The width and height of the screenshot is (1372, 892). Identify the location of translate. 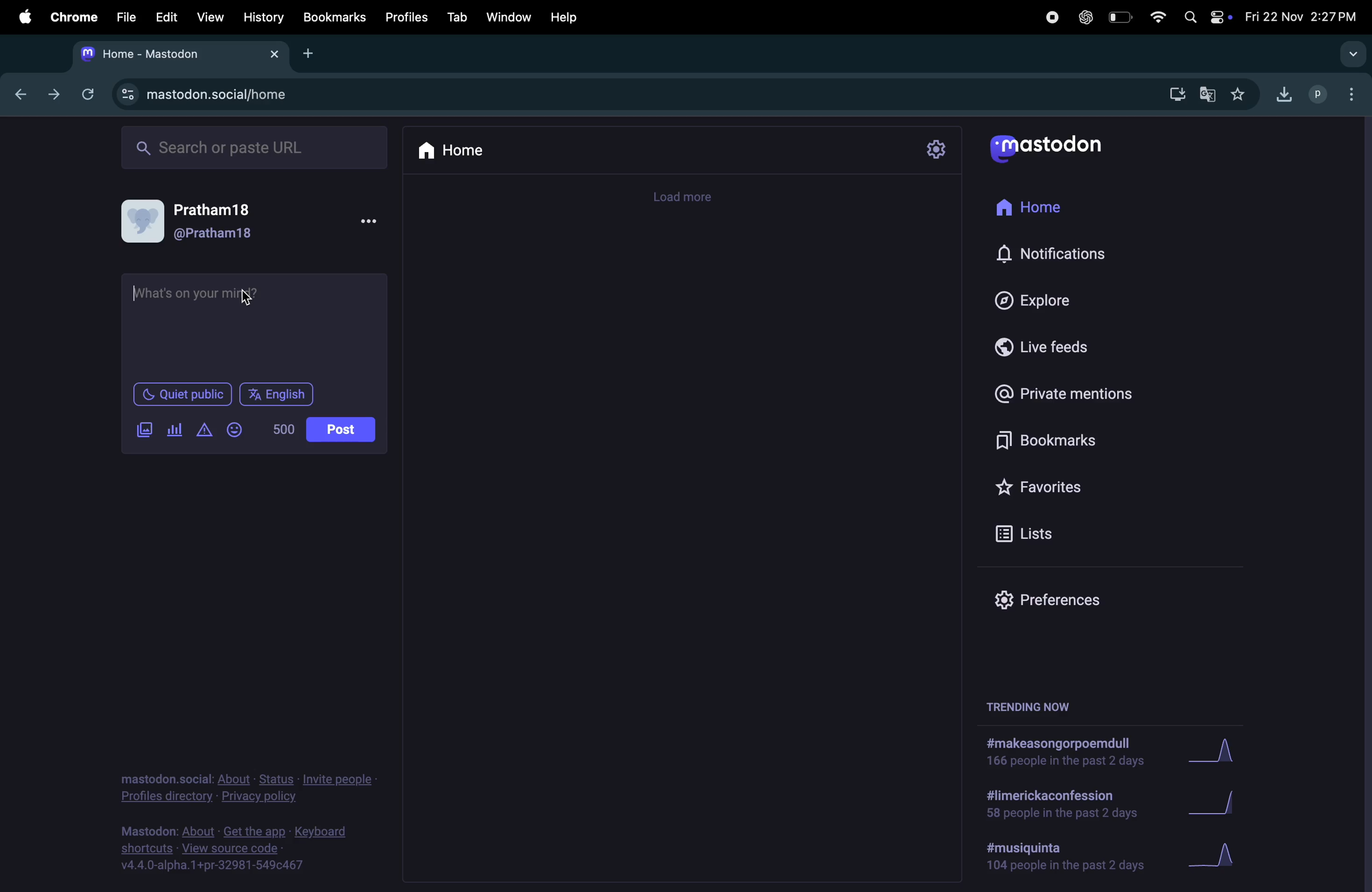
(1208, 91).